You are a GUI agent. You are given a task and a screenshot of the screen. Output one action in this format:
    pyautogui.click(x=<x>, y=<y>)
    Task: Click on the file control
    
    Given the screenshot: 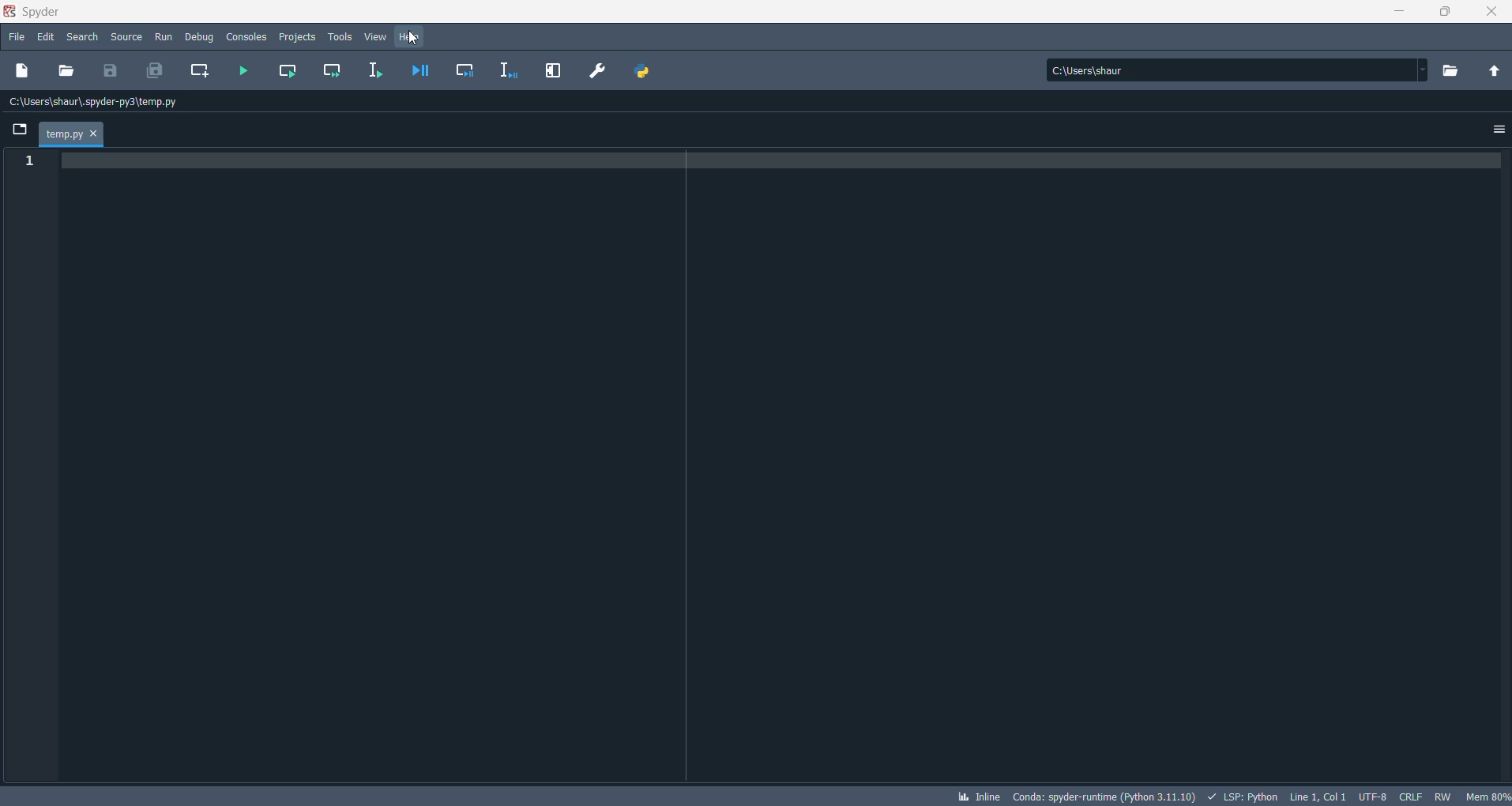 What is the action you would take?
    pyautogui.click(x=1442, y=797)
    